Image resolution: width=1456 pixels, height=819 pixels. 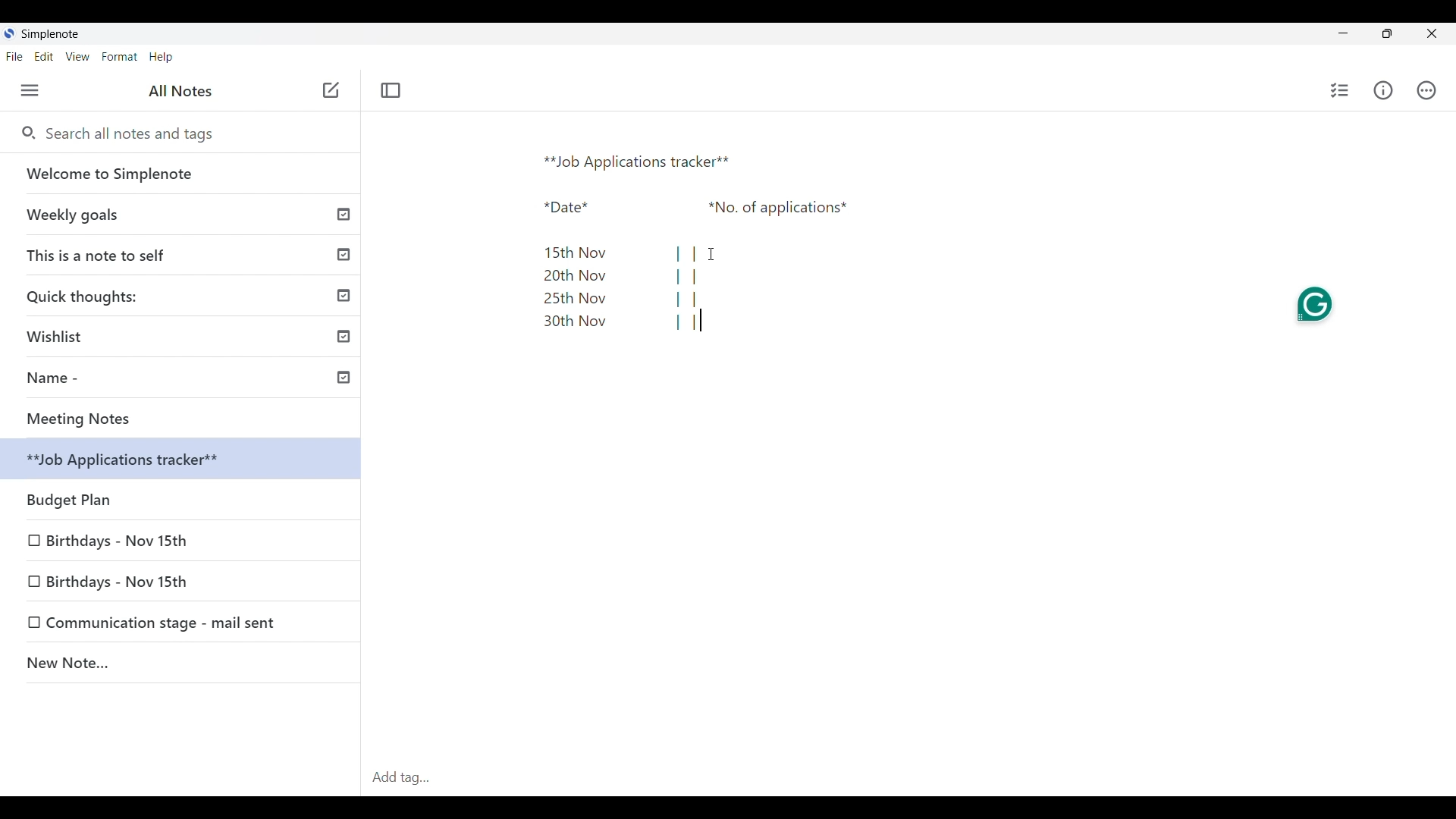 What do you see at coordinates (908, 778) in the screenshot?
I see `Click to type in tag` at bounding box center [908, 778].